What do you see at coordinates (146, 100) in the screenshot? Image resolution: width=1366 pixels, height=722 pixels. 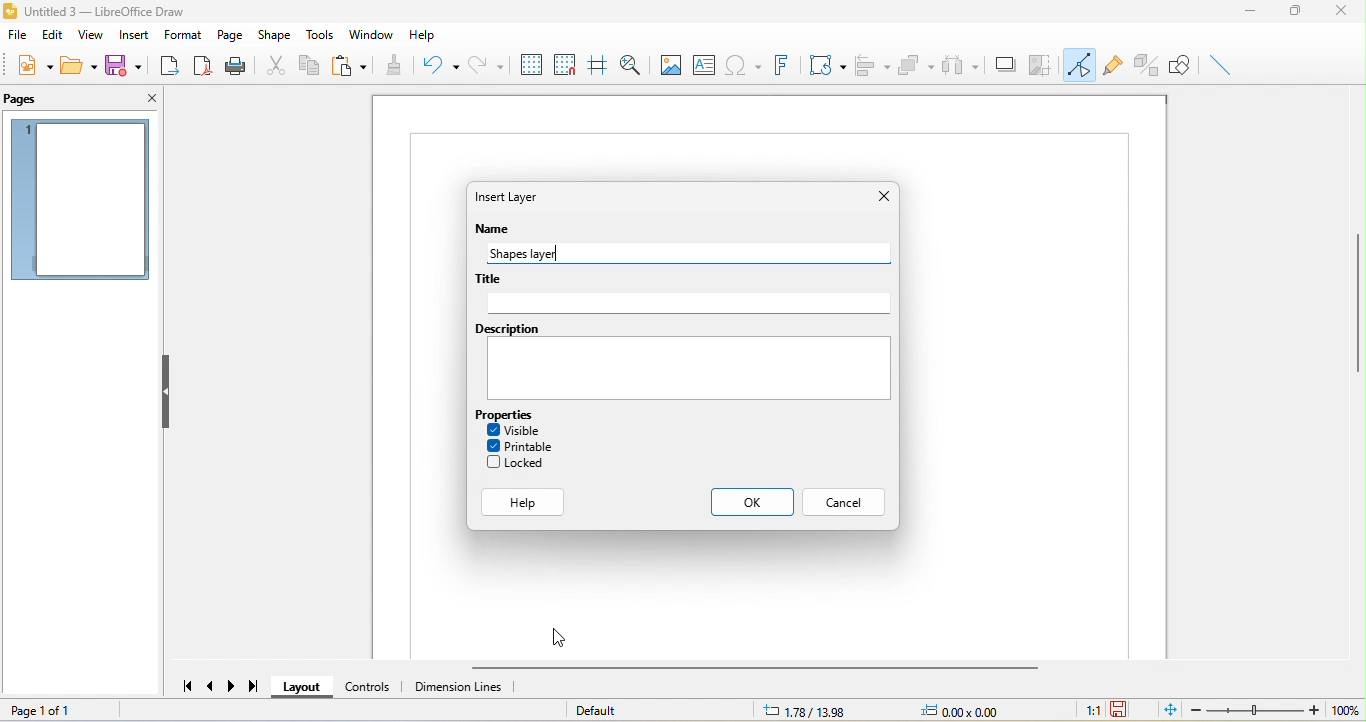 I see `close` at bounding box center [146, 100].